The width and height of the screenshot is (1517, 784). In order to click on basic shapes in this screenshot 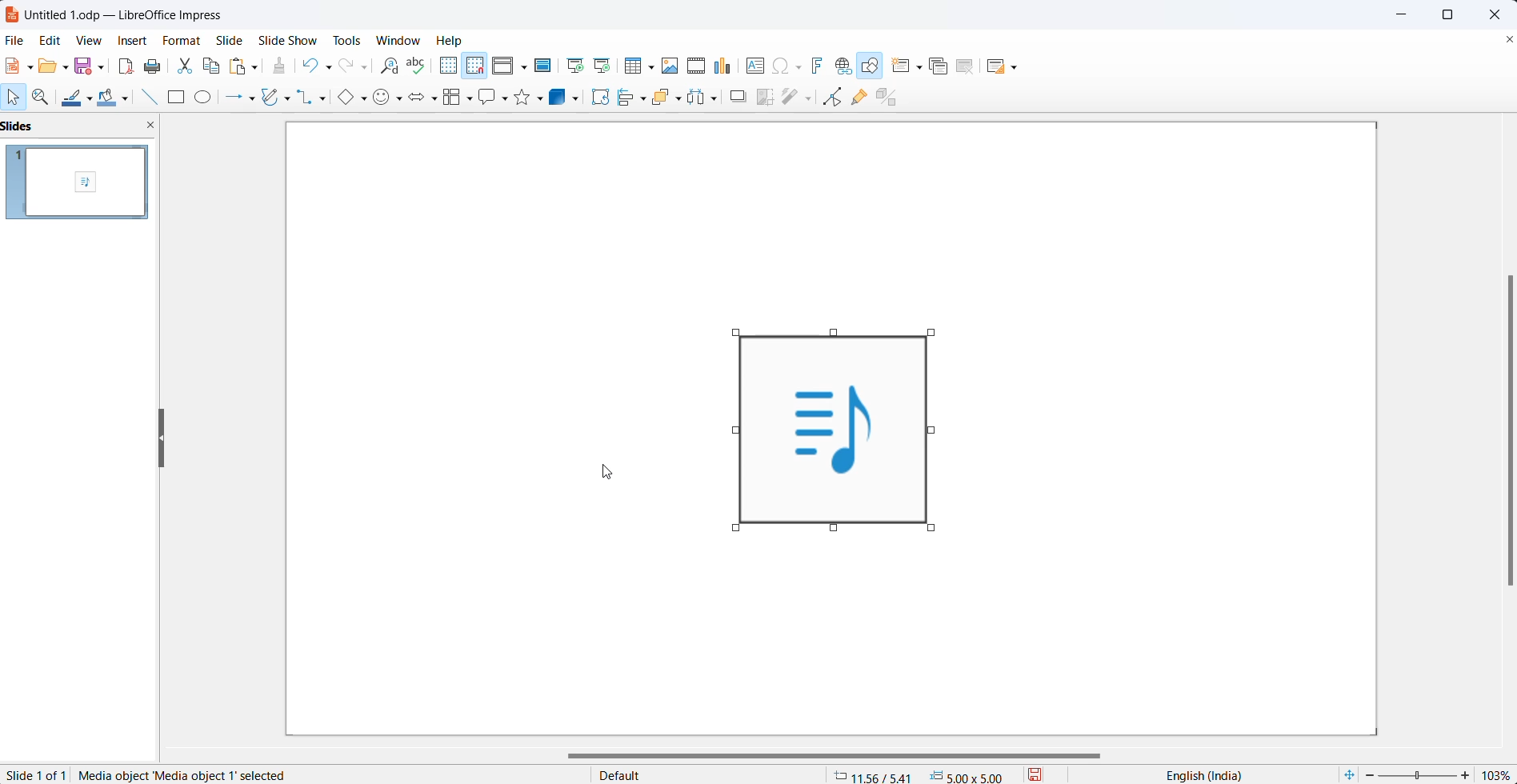, I will do `click(341, 98)`.